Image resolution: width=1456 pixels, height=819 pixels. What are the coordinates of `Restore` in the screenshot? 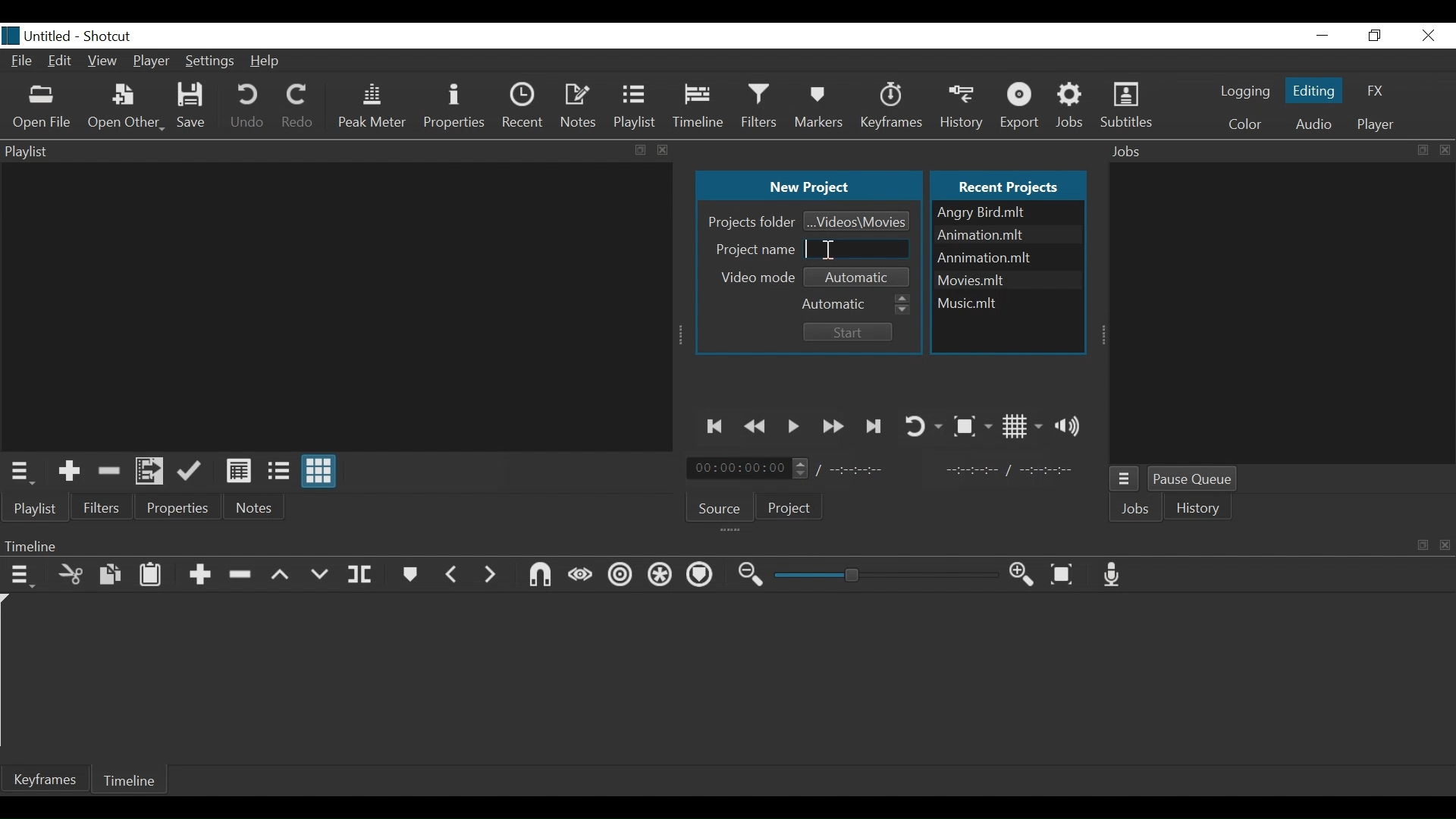 It's located at (1376, 35).